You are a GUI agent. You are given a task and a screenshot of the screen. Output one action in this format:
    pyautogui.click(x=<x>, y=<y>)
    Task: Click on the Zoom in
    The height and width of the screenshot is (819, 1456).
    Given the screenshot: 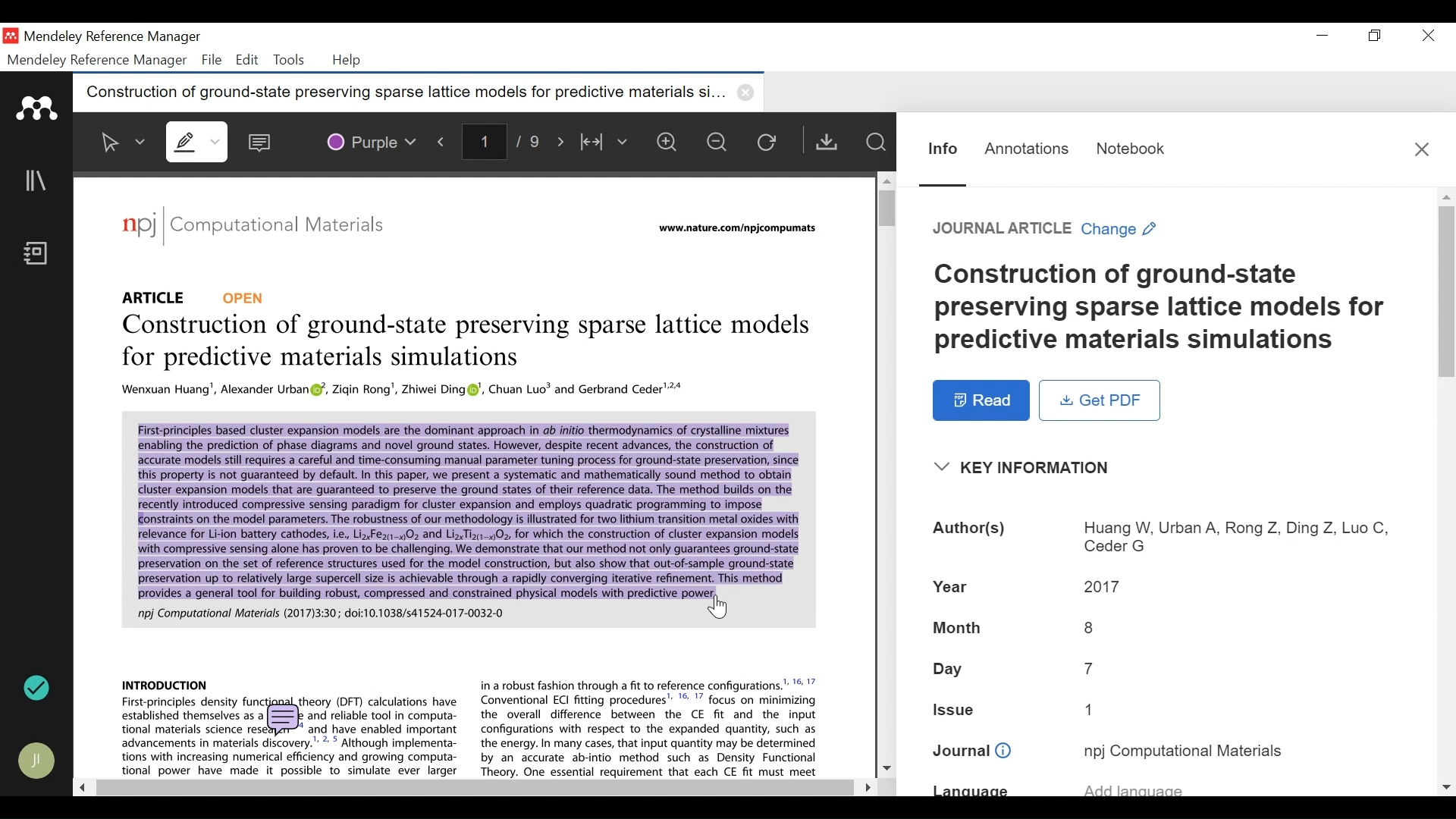 What is the action you would take?
    pyautogui.click(x=671, y=142)
    